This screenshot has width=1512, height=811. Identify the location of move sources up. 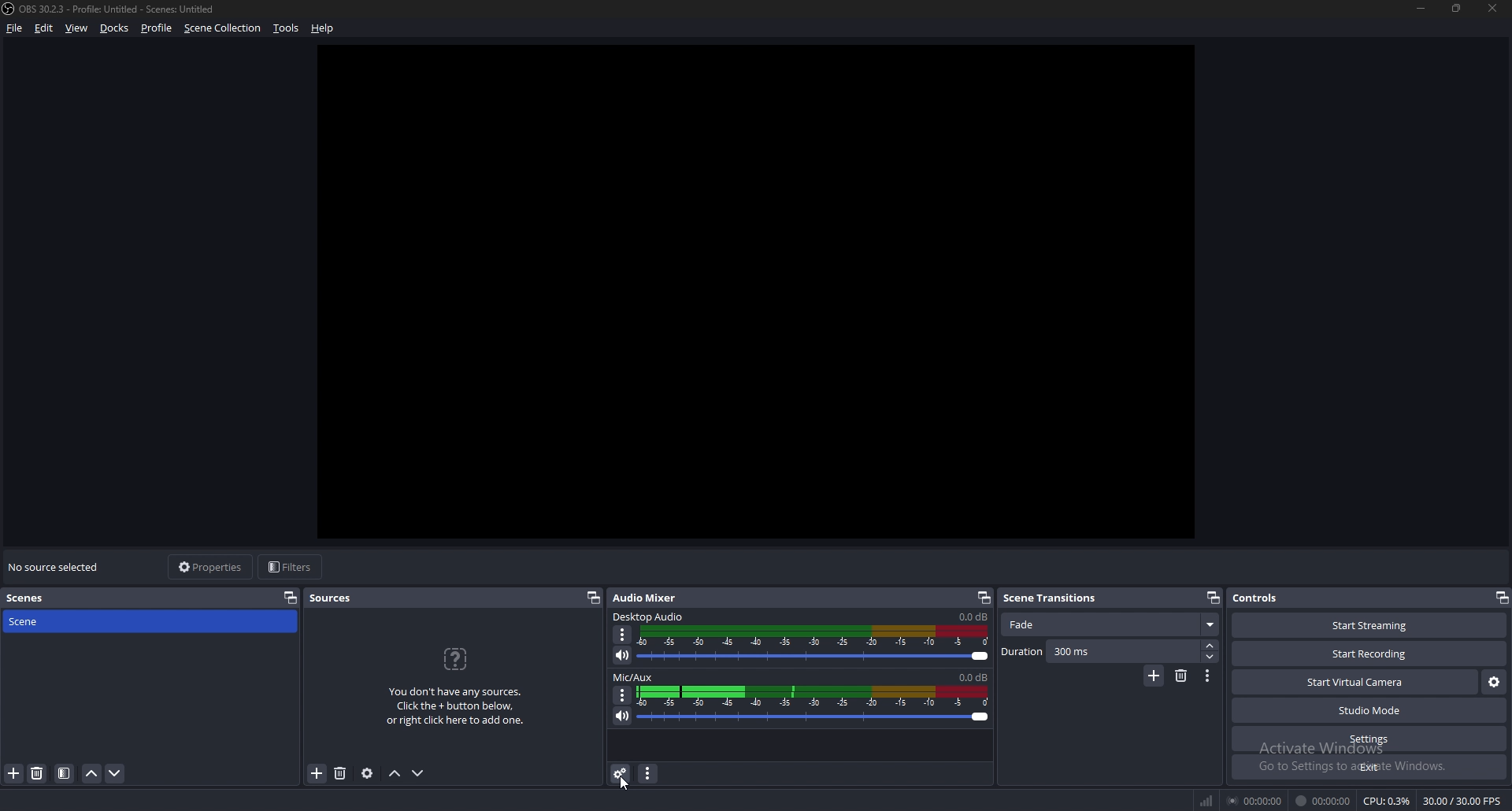
(395, 773).